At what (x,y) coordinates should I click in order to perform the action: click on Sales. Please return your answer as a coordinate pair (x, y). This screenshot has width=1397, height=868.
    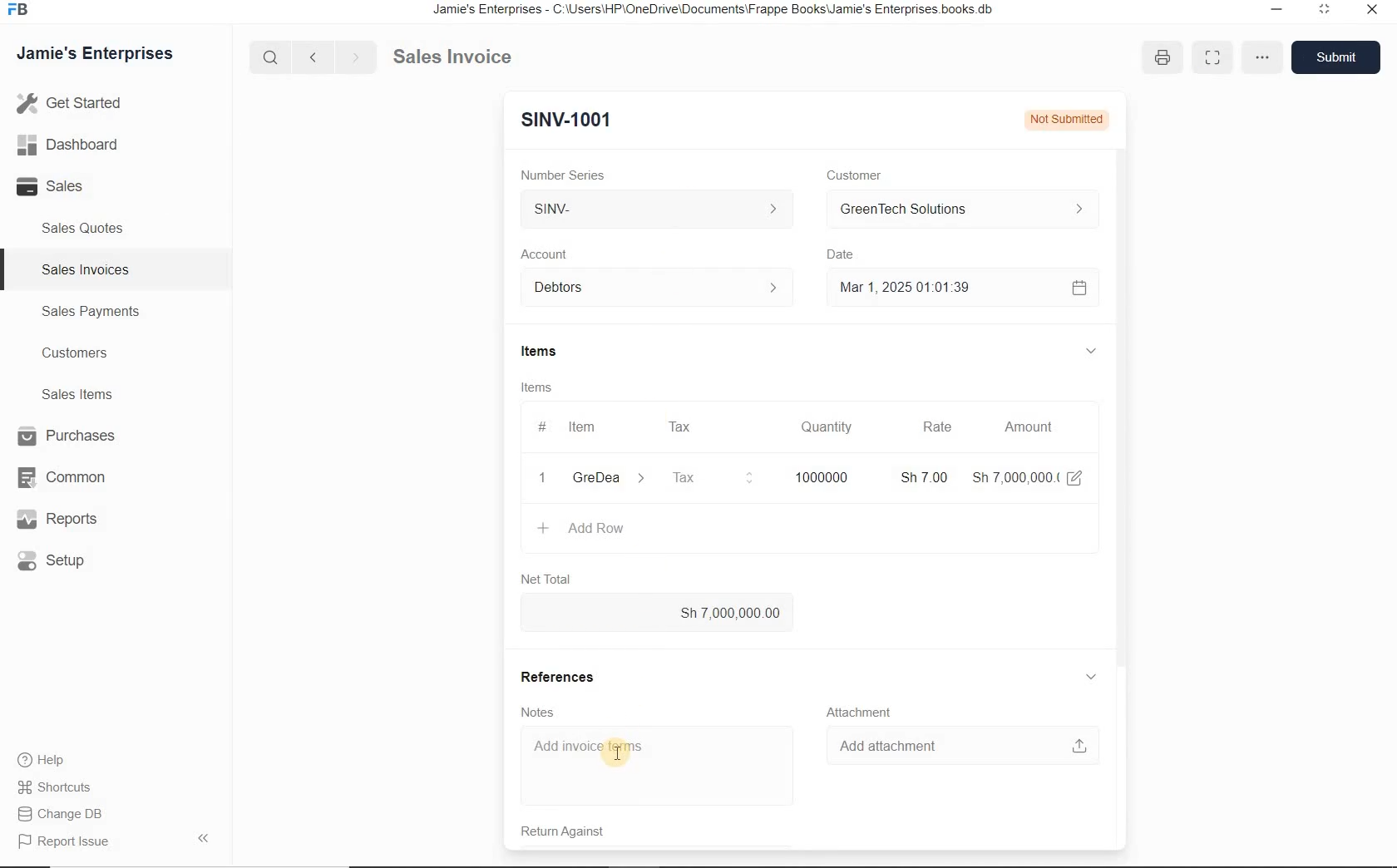
    Looking at the image, I should click on (57, 187).